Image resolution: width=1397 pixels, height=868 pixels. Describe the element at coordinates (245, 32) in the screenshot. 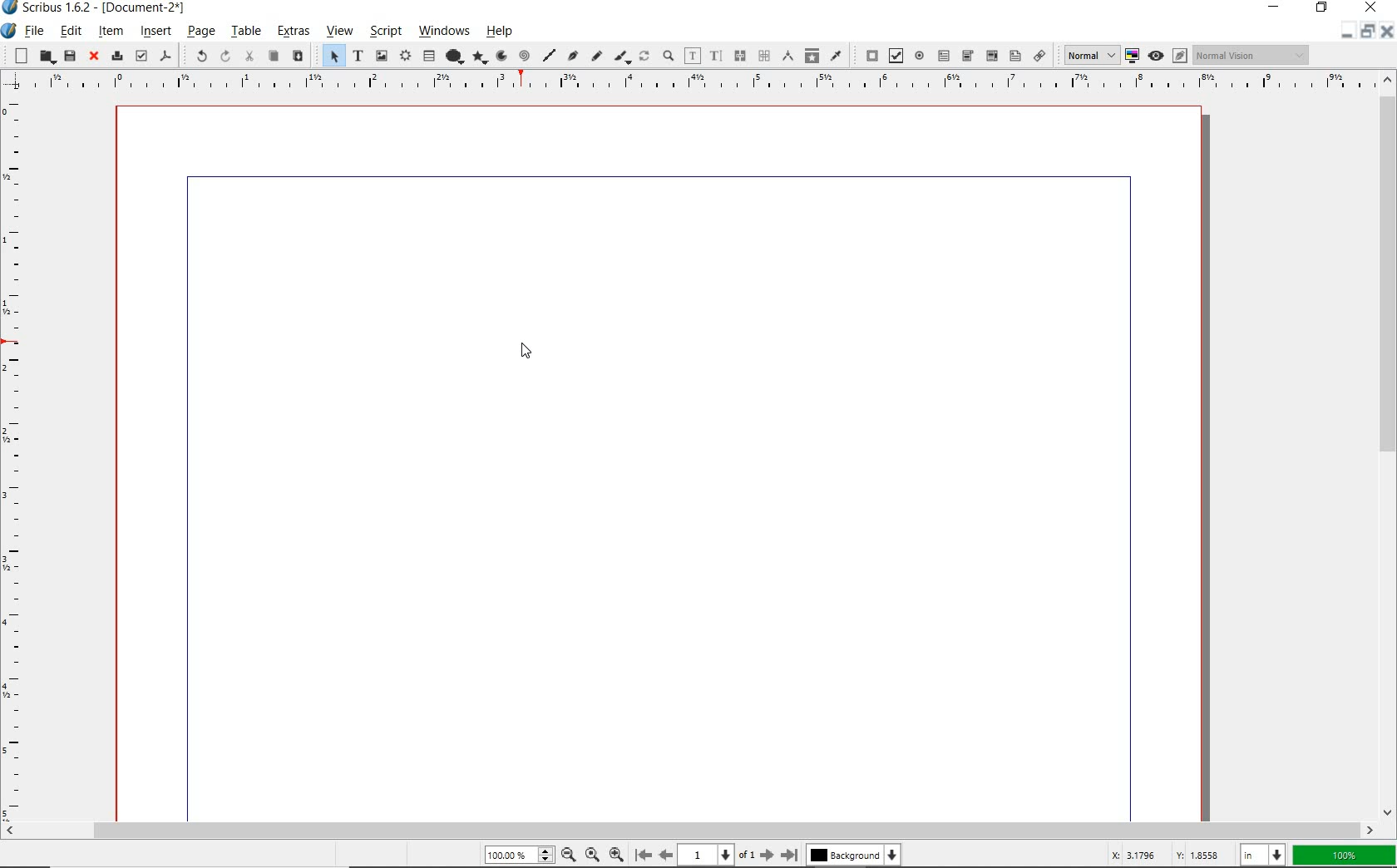

I see `table` at that location.